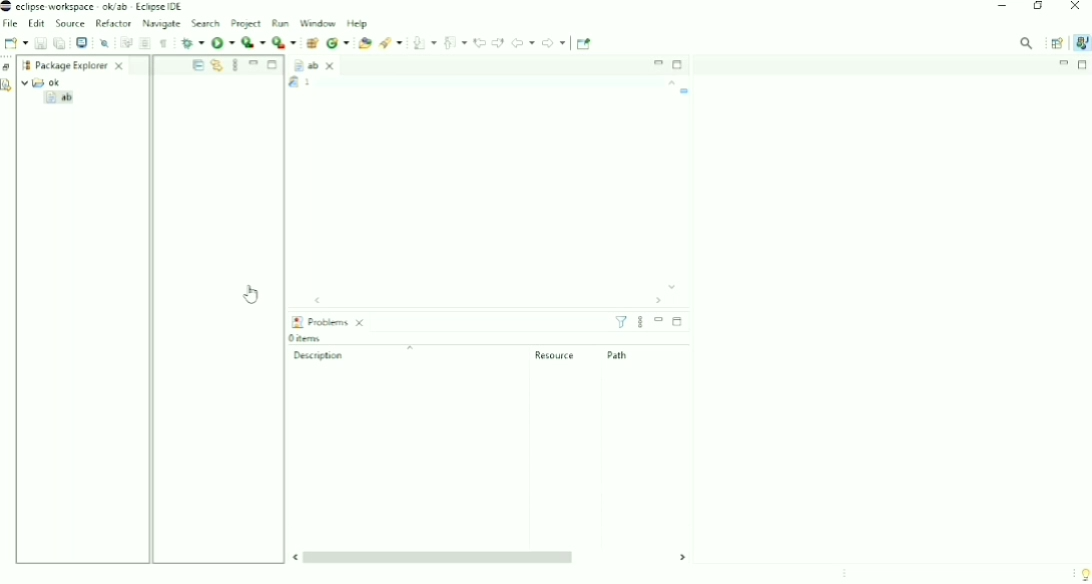 The image size is (1092, 584). What do you see at coordinates (315, 66) in the screenshot?
I see `ab` at bounding box center [315, 66].